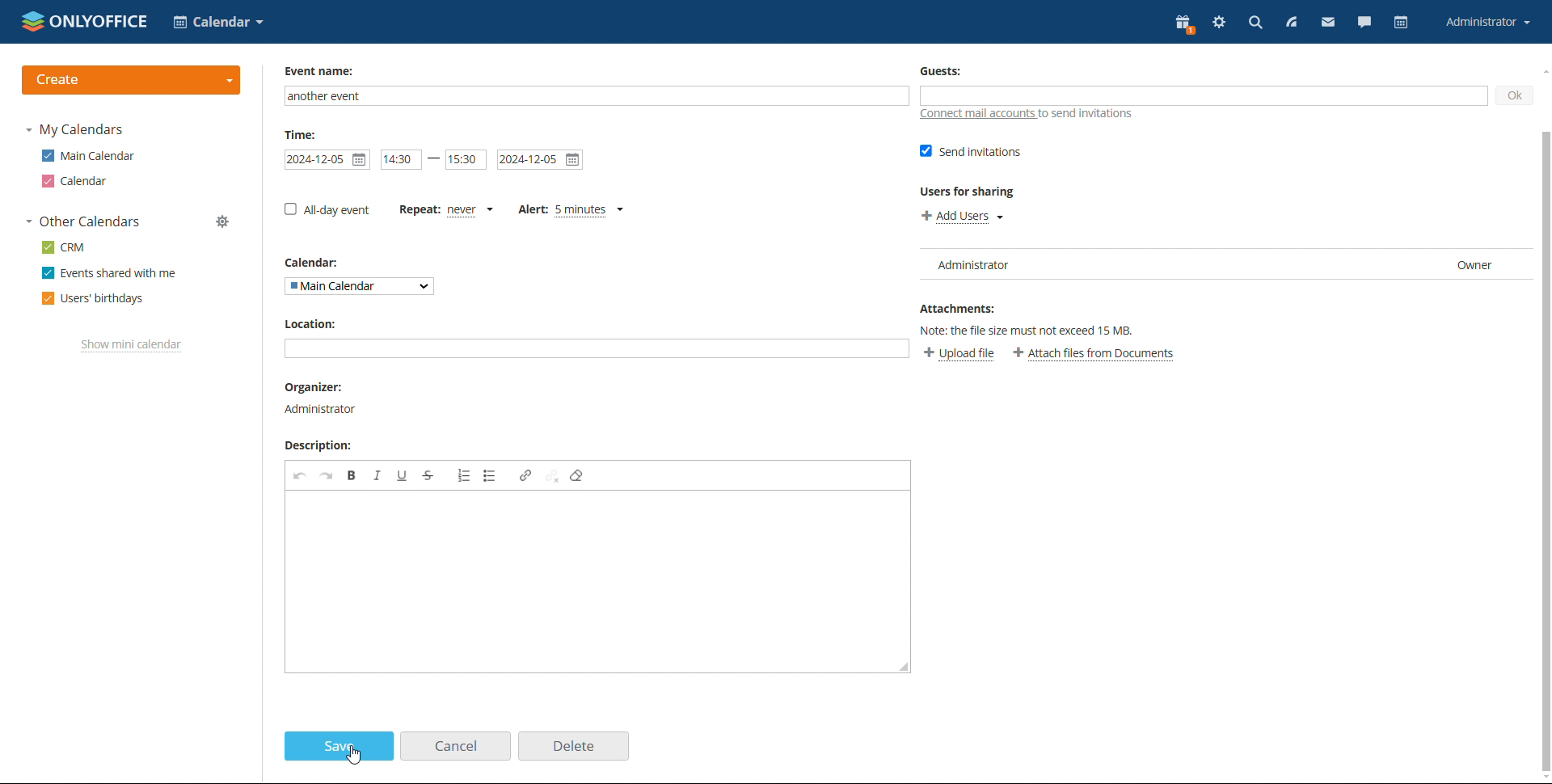 The height and width of the screenshot is (784, 1552). What do you see at coordinates (1185, 24) in the screenshot?
I see `present` at bounding box center [1185, 24].